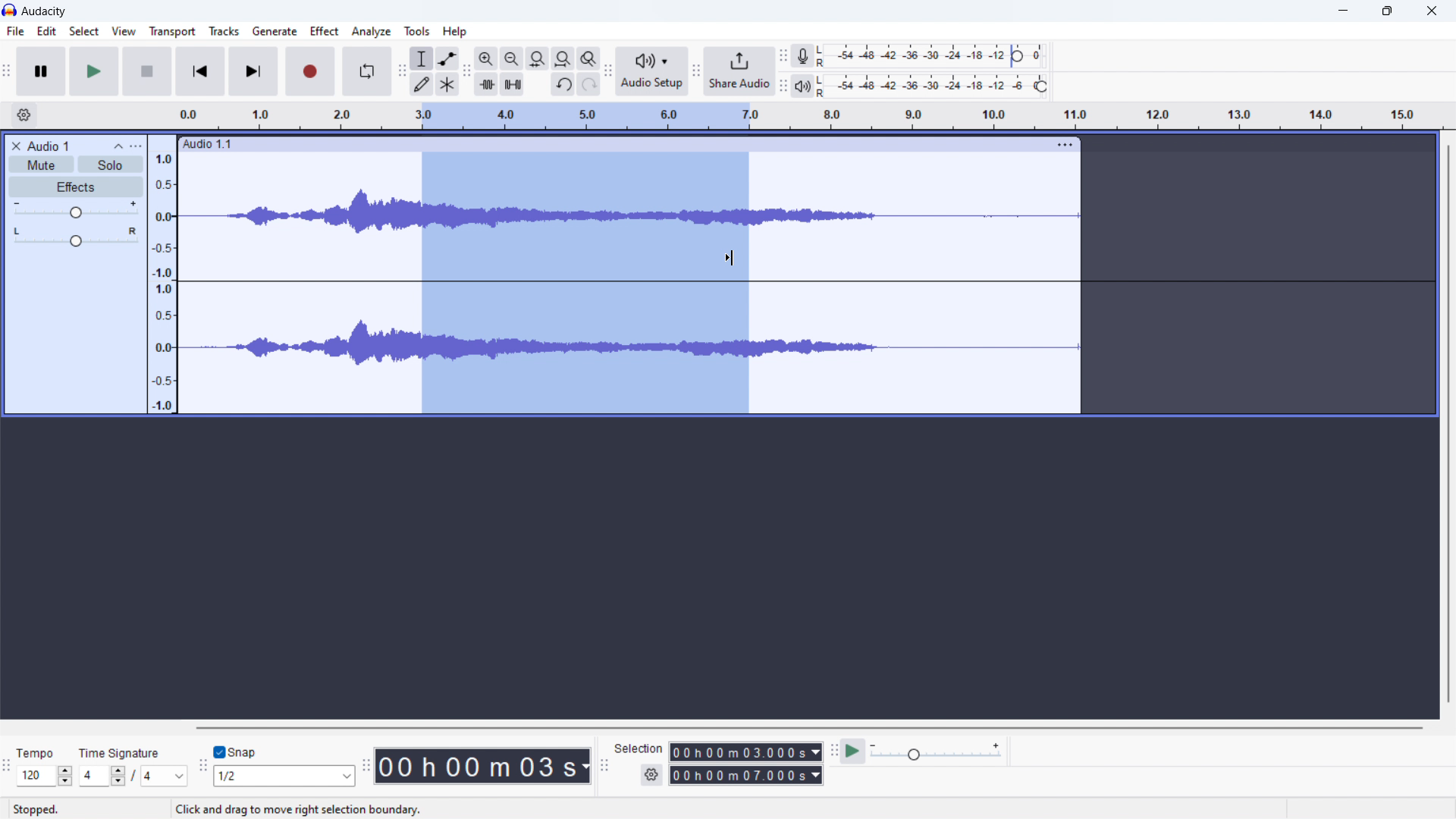 This screenshot has width=1456, height=819. I want to click on soundtrack, so click(290, 288).